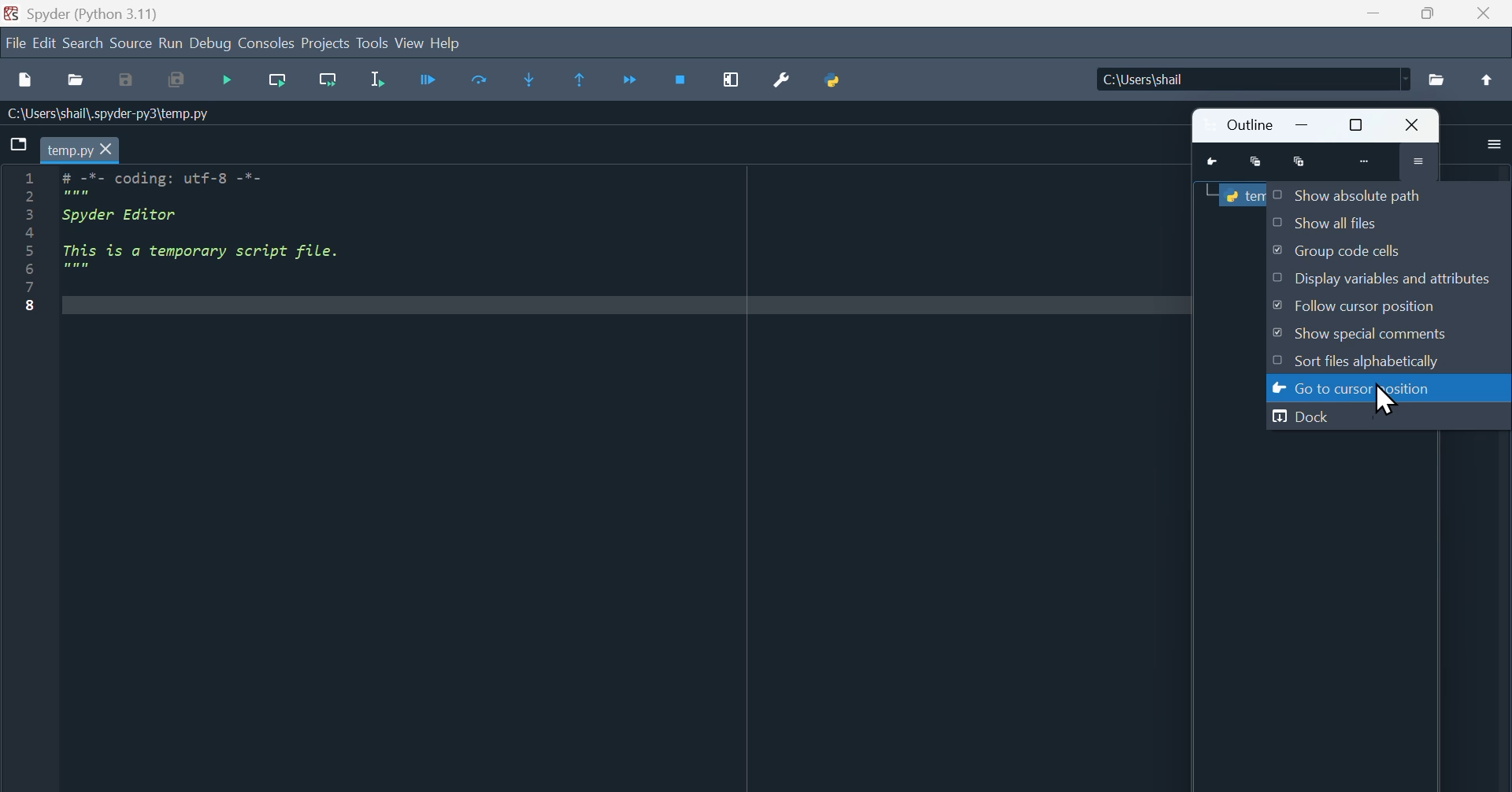 Image resolution: width=1512 pixels, height=792 pixels. I want to click on Debug, so click(210, 42).